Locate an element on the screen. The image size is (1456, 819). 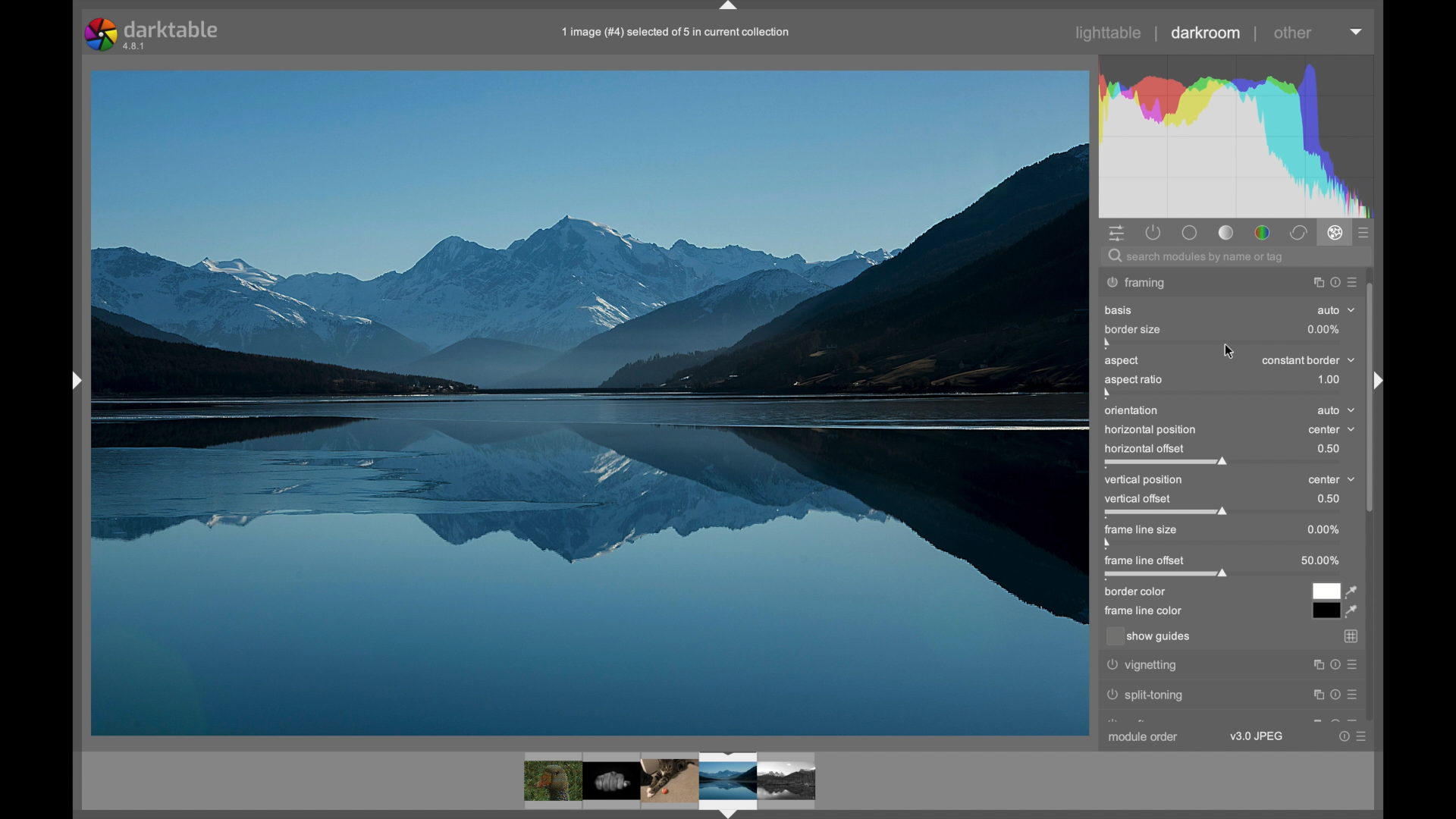
photo preview is located at coordinates (590, 401).